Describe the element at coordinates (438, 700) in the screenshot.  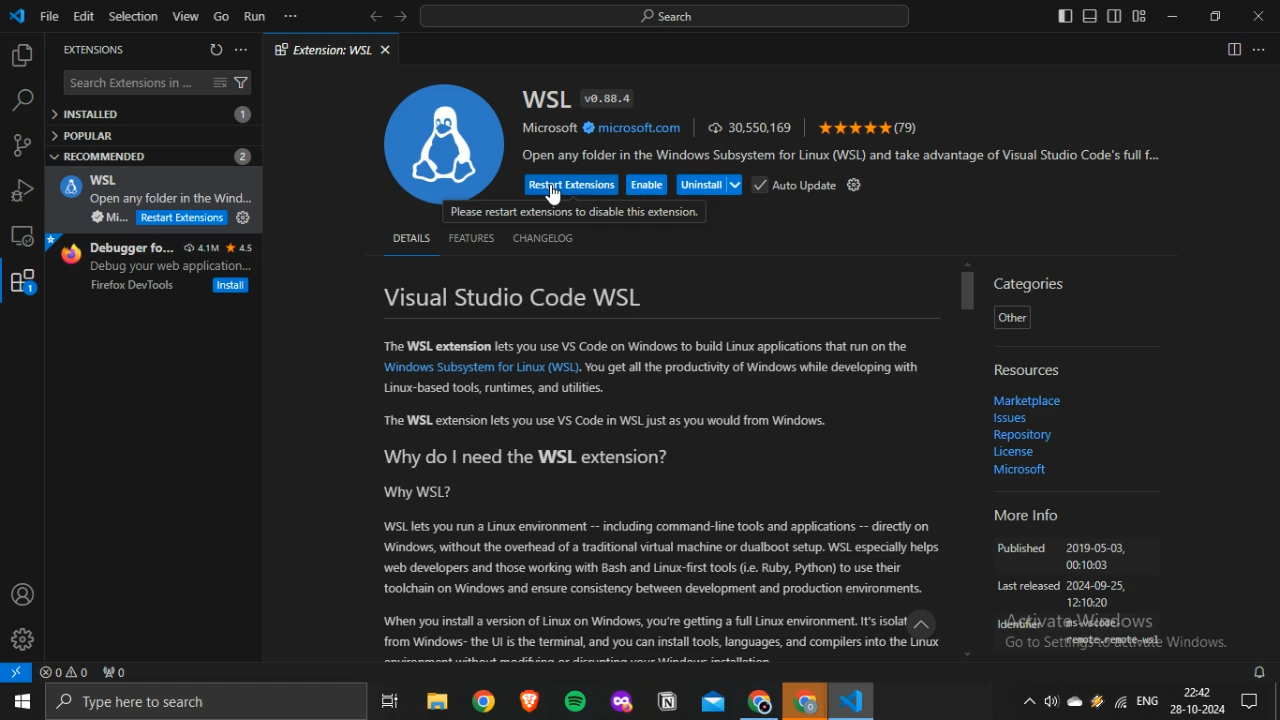
I see `file explorer` at that location.